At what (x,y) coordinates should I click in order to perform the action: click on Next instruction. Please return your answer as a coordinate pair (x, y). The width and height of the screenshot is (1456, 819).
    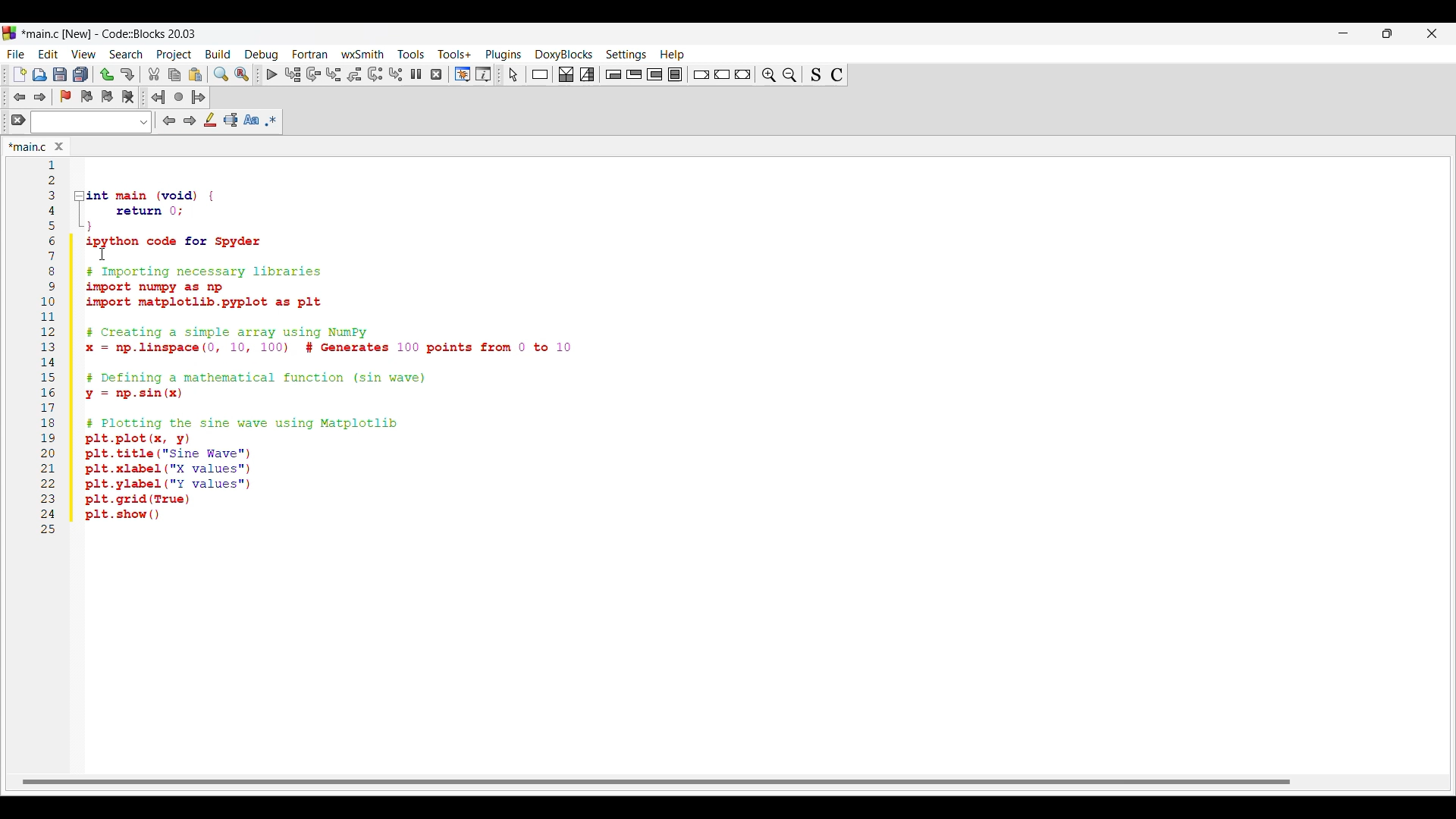
    Looking at the image, I should click on (375, 74).